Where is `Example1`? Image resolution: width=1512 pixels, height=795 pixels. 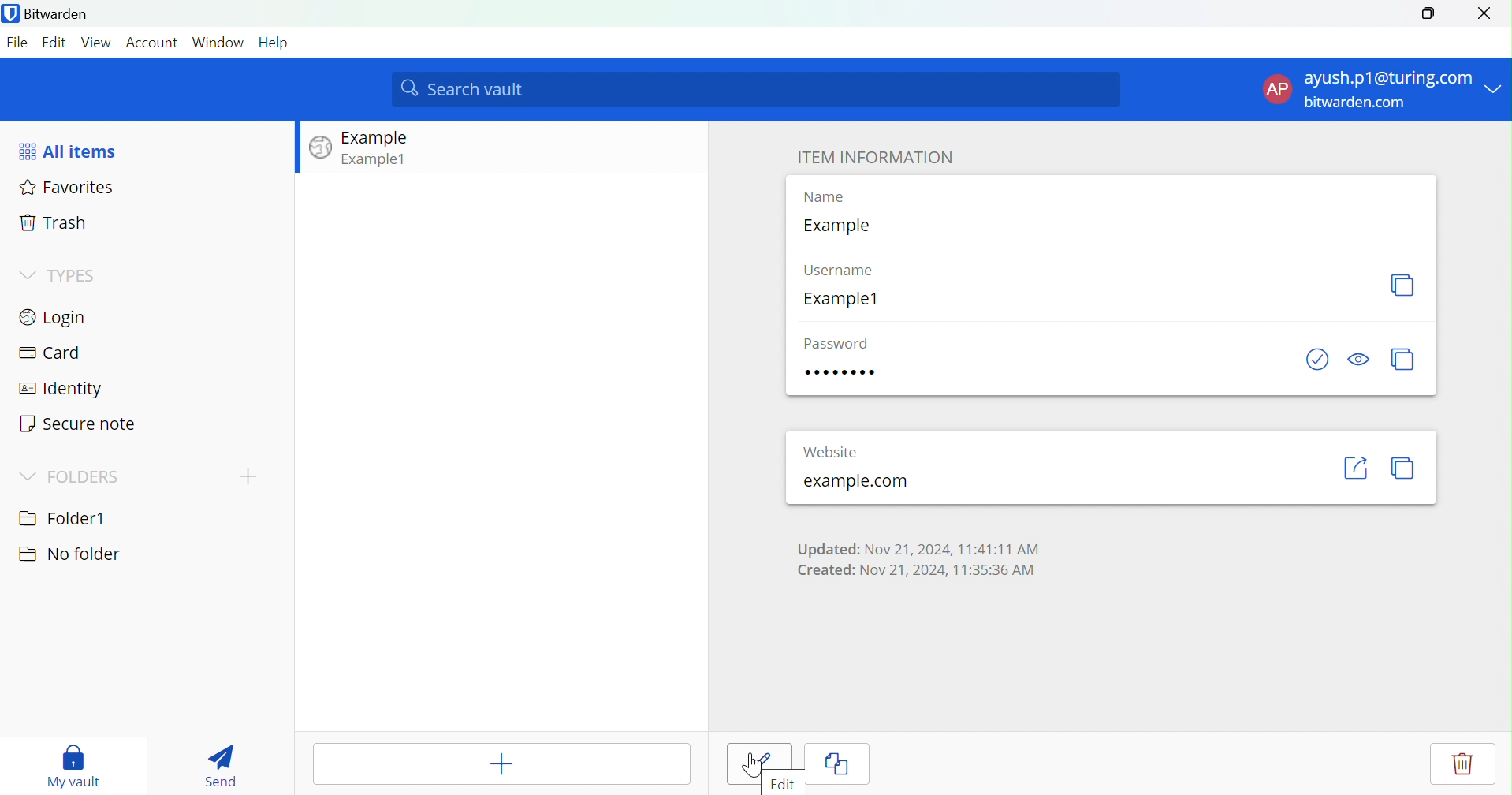 Example1 is located at coordinates (843, 299).